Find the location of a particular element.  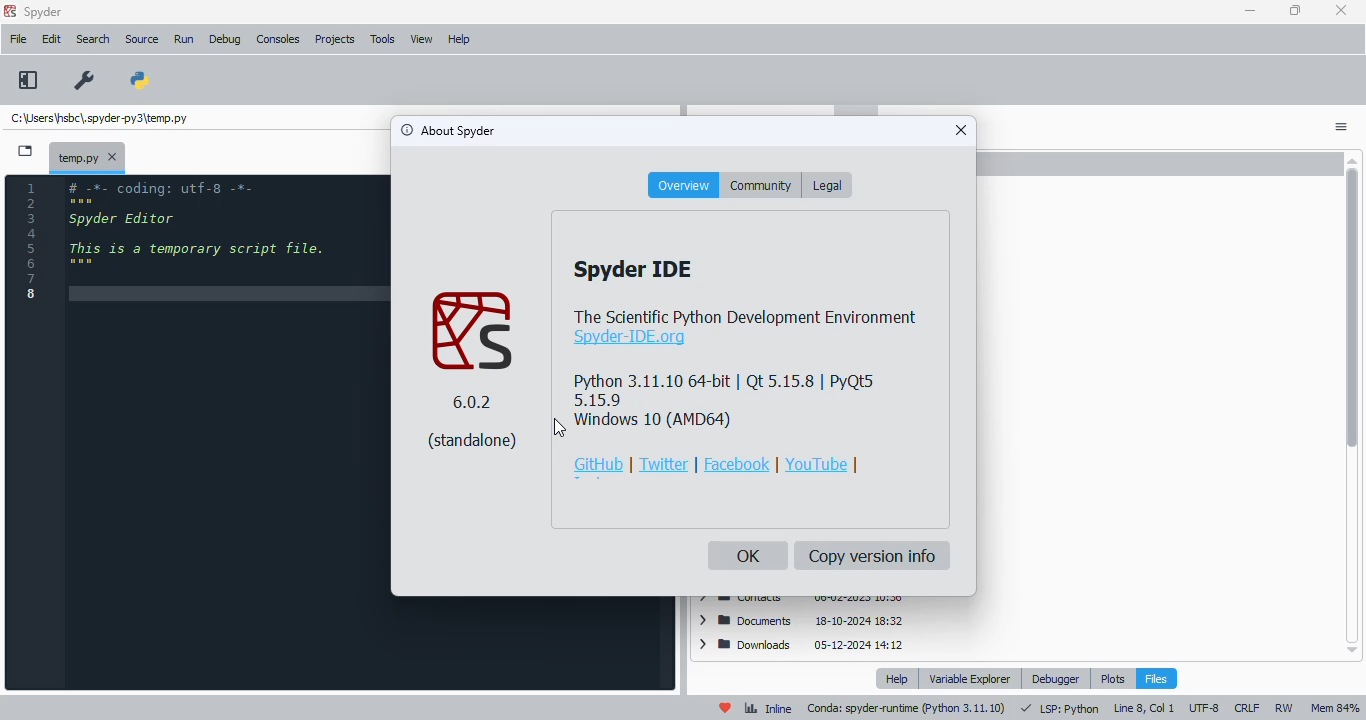

PYTHONPATH manager is located at coordinates (141, 81).